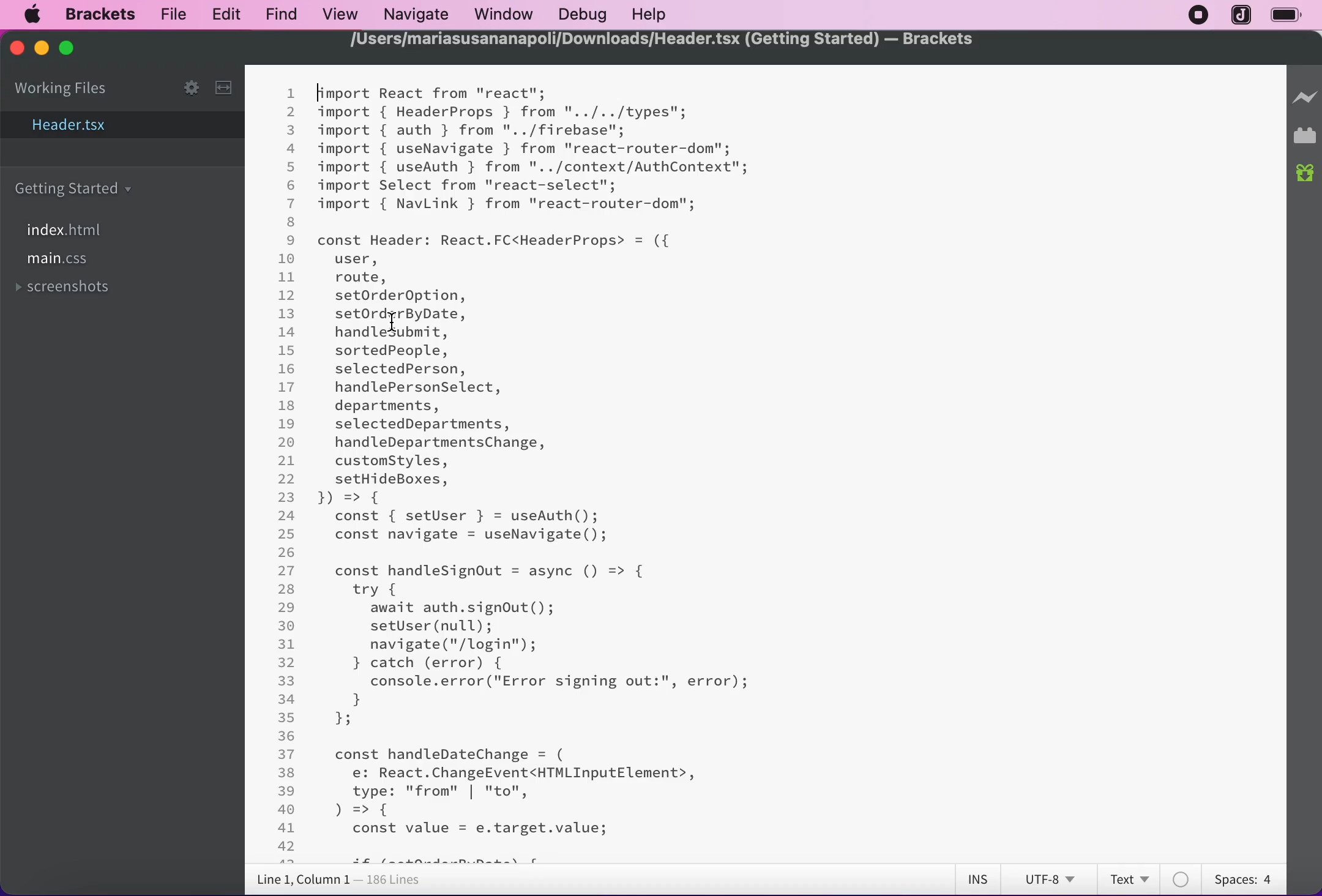 This screenshot has height=896, width=1322. Describe the element at coordinates (72, 190) in the screenshot. I see `getting started` at that location.